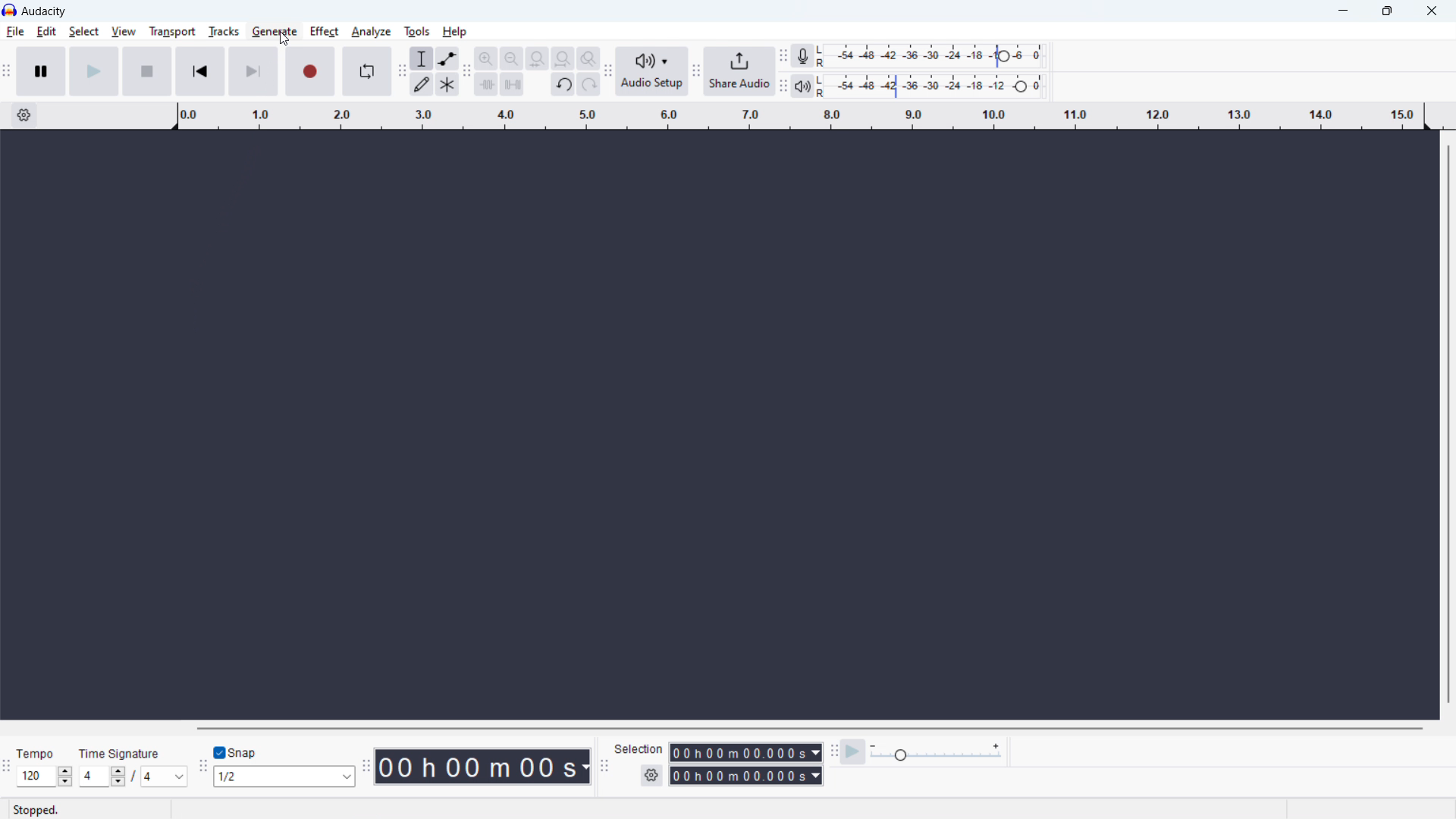 This screenshot has width=1456, height=819. I want to click on cursor, so click(290, 36).